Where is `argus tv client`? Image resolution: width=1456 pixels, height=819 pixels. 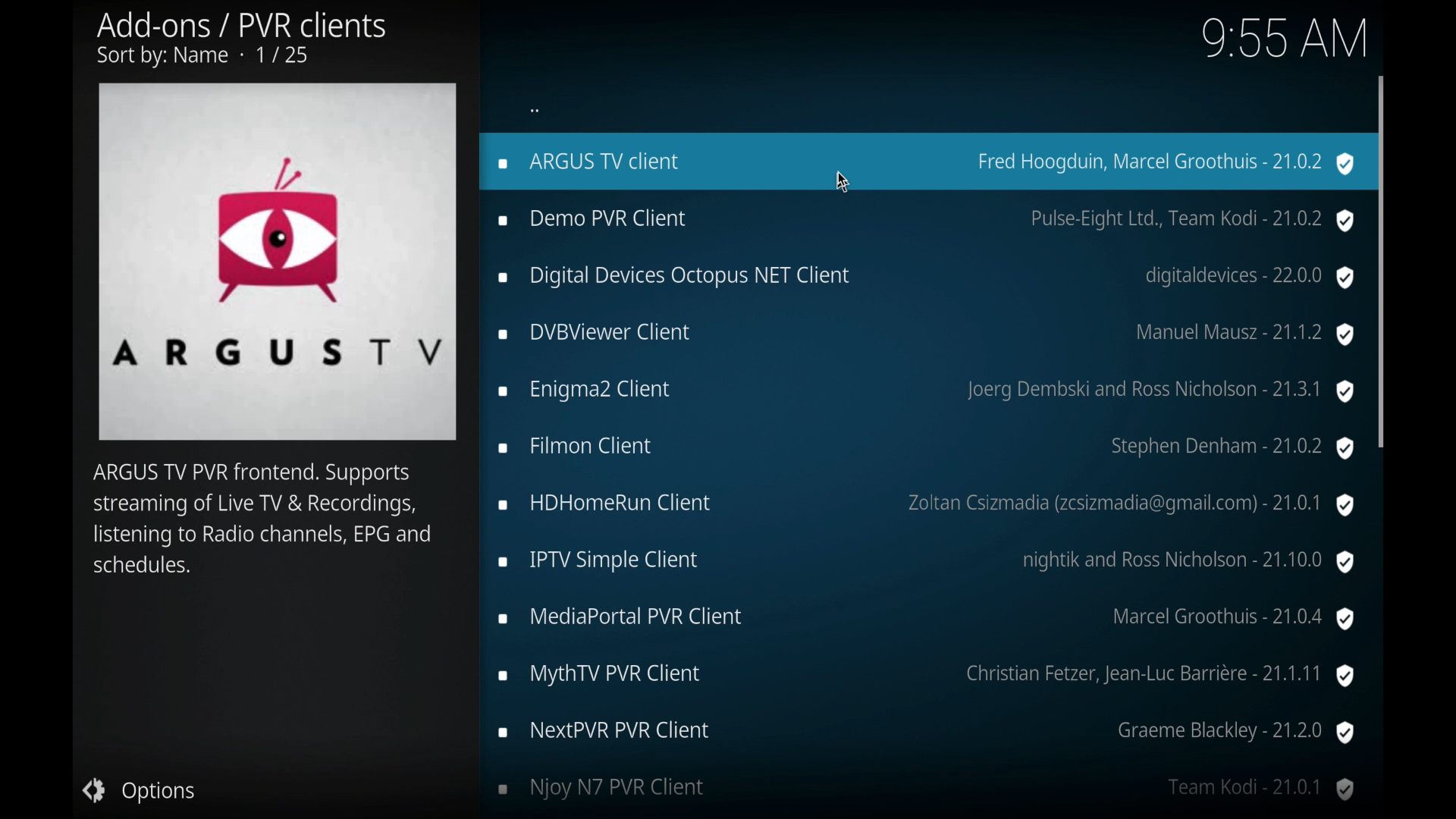
argus tv client is located at coordinates (922, 162).